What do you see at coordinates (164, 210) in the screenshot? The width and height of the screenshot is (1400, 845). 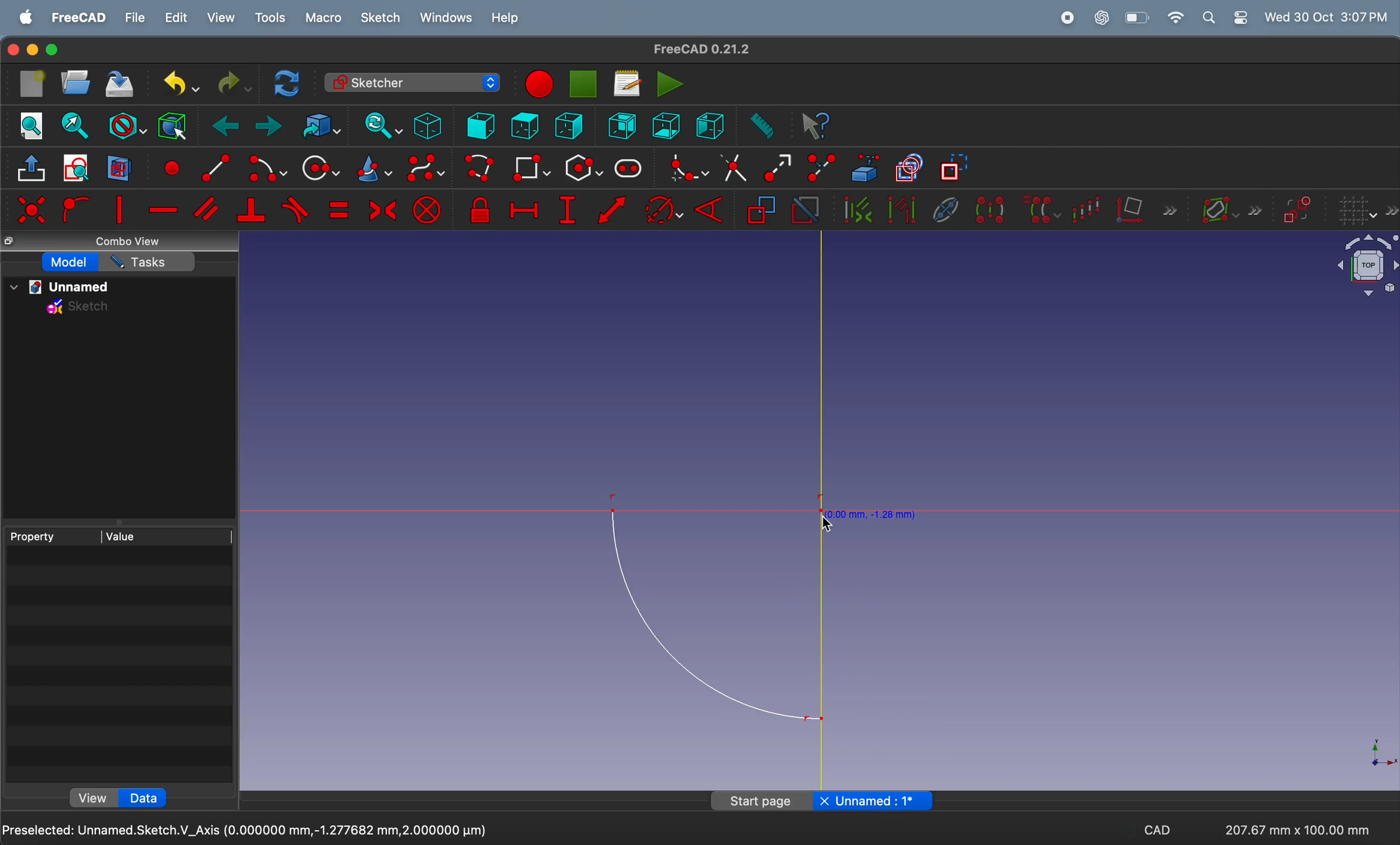 I see `constrain horrizontal` at bounding box center [164, 210].